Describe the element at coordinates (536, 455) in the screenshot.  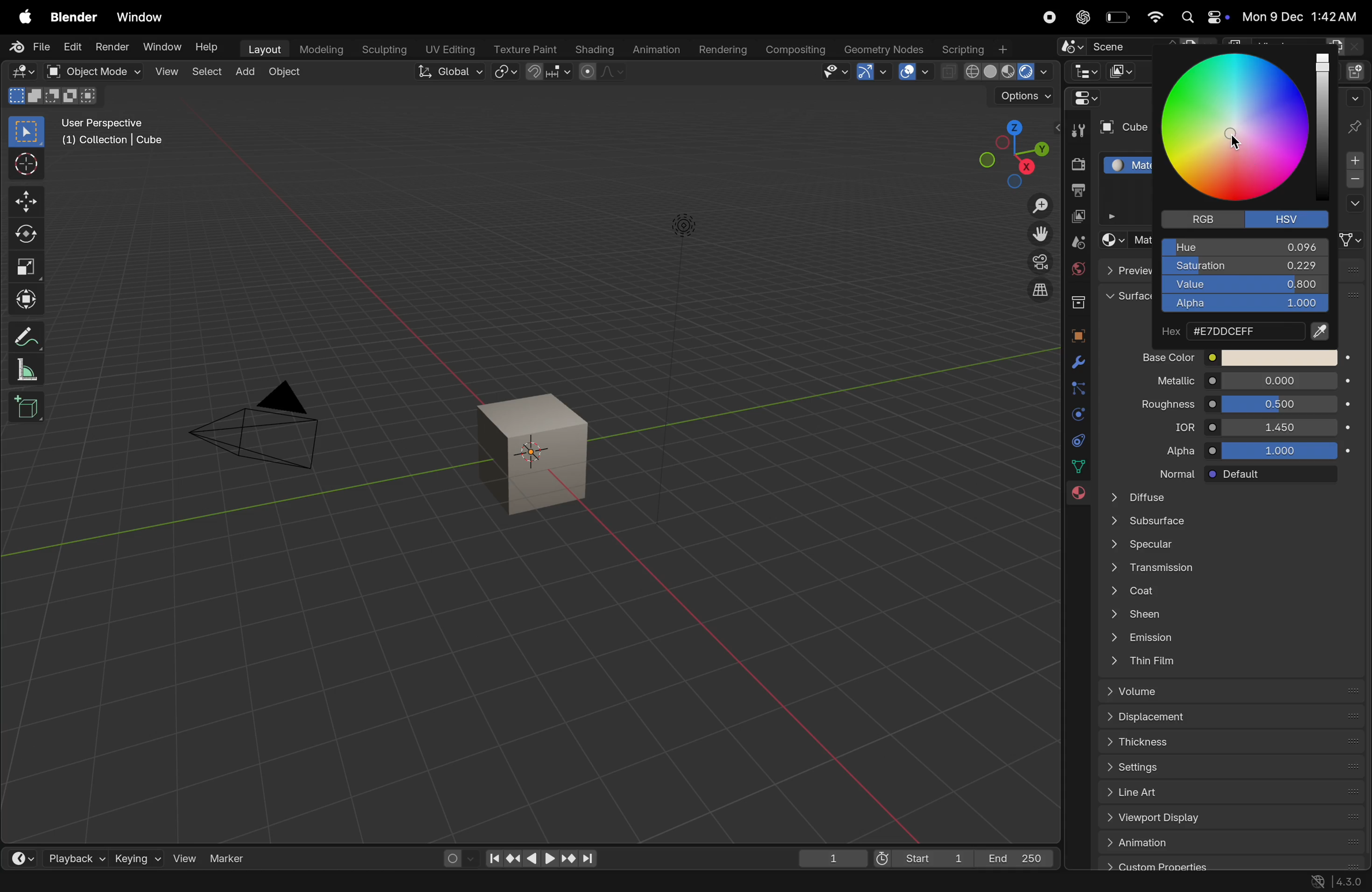
I see `cube` at that location.